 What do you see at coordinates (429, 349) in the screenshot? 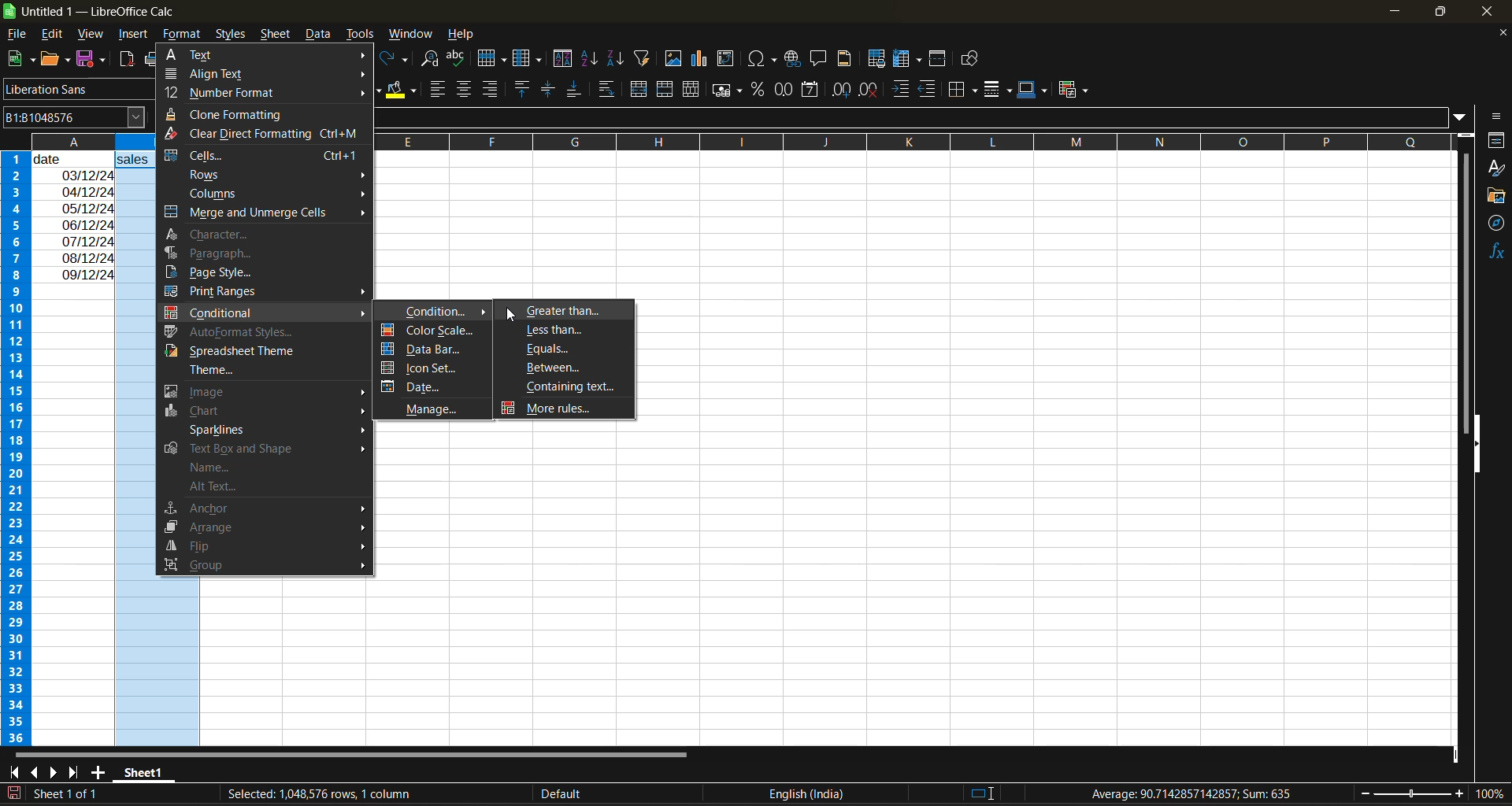
I see `data bar` at bounding box center [429, 349].